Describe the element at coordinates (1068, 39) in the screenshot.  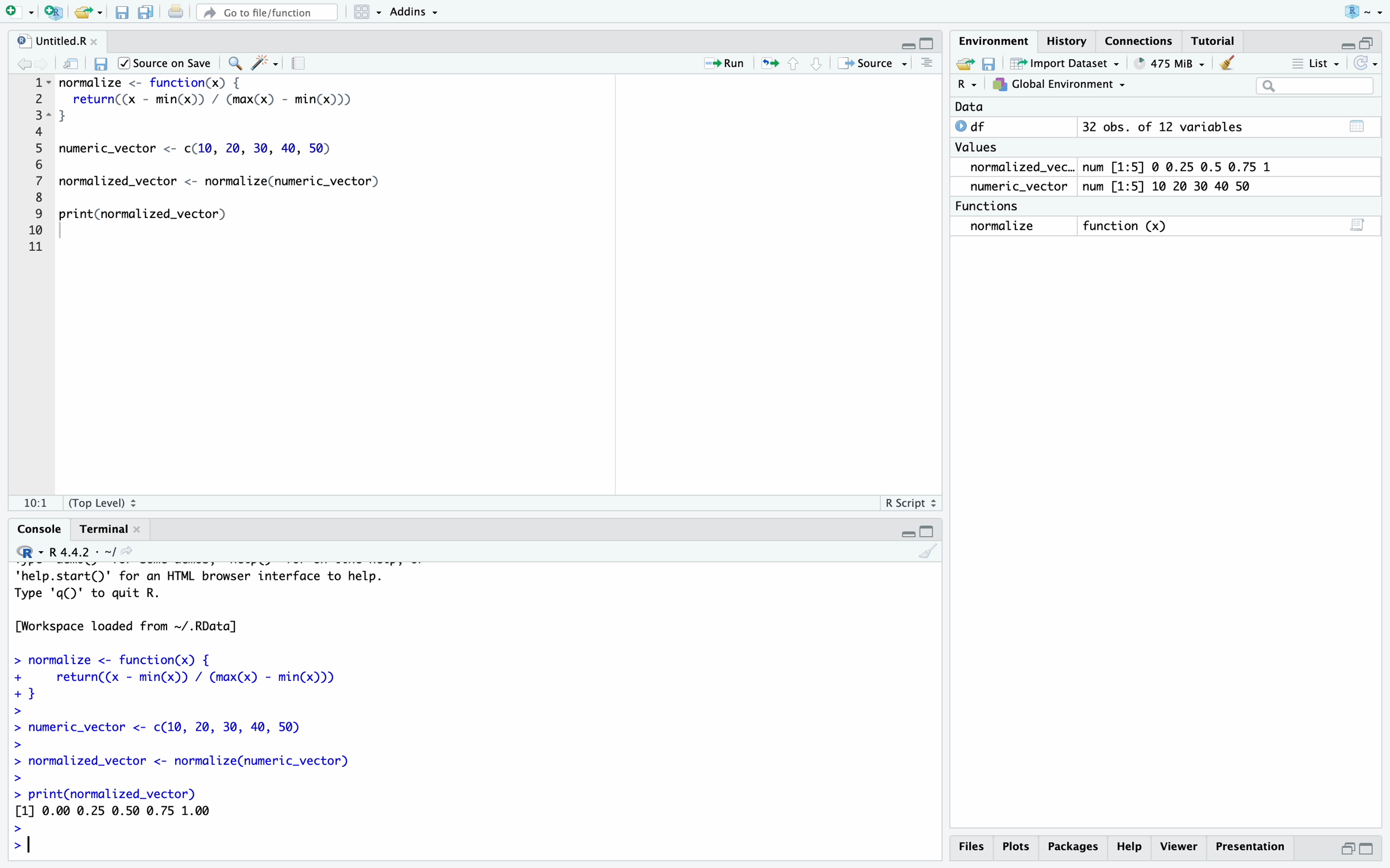
I see `History` at that location.